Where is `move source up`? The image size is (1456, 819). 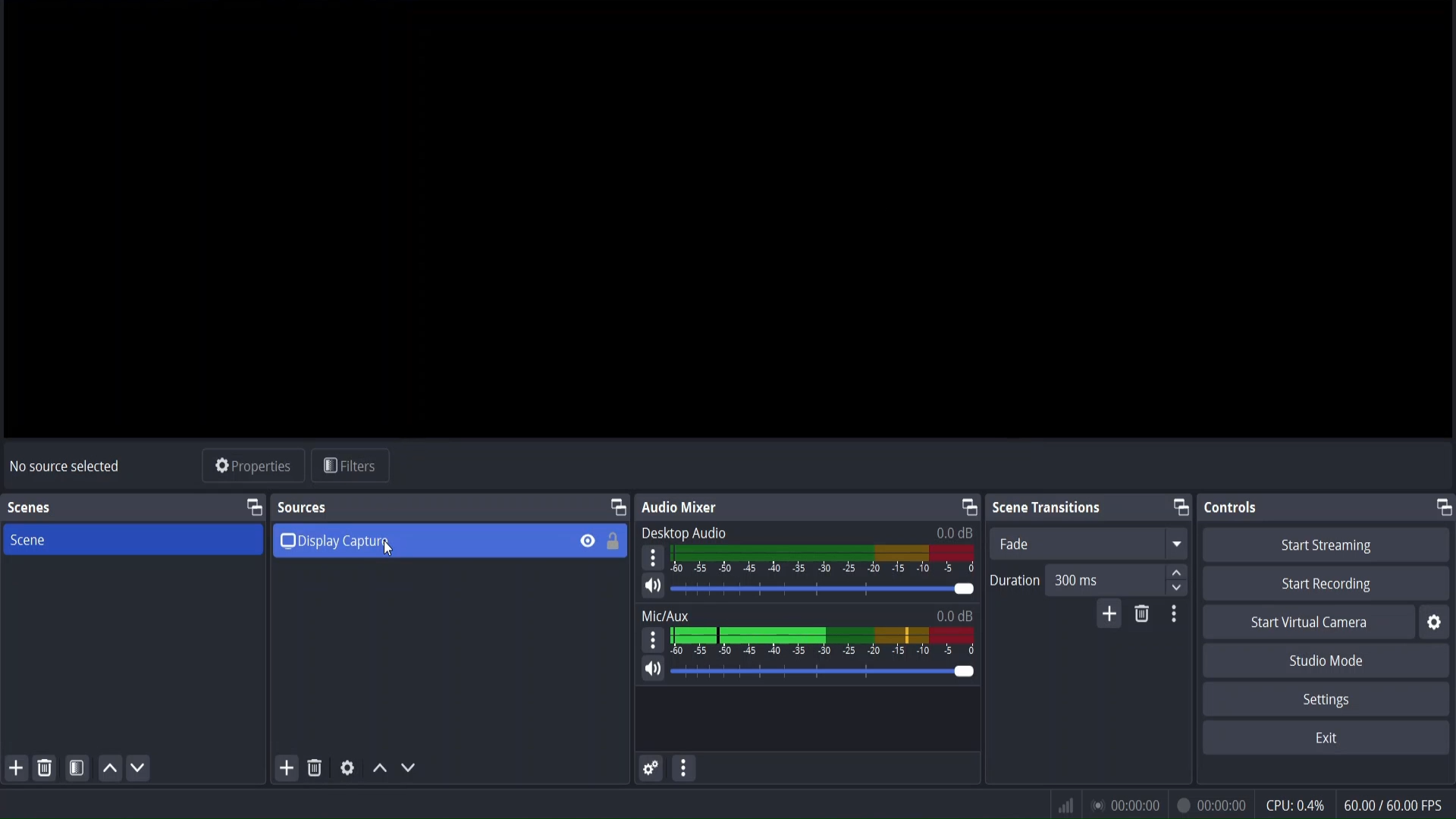
move source up is located at coordinates (378, 769).